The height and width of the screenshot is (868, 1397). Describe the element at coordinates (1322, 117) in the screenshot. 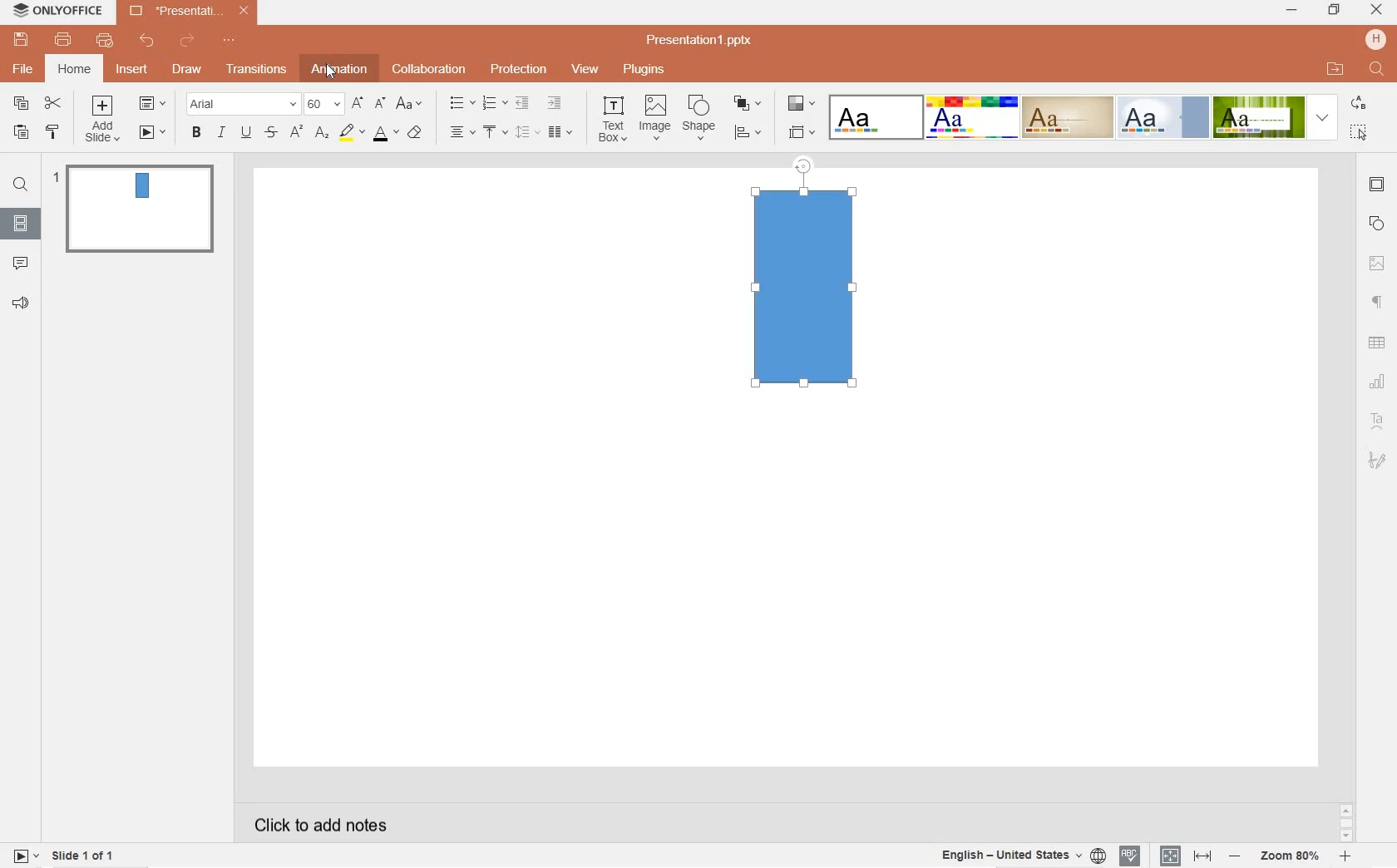

I see `expand ` at that location.